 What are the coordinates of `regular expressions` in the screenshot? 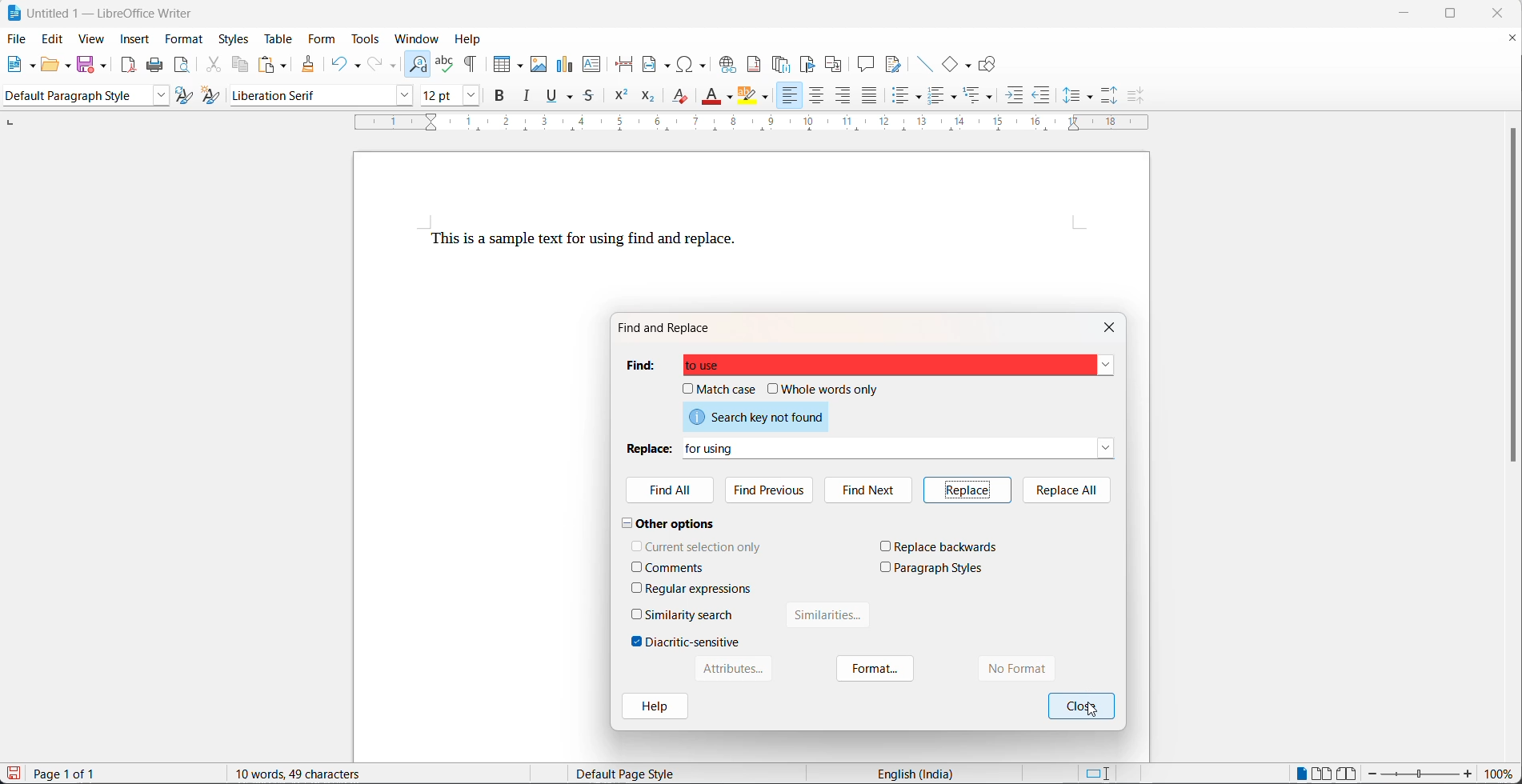 It's located at (700, 589).